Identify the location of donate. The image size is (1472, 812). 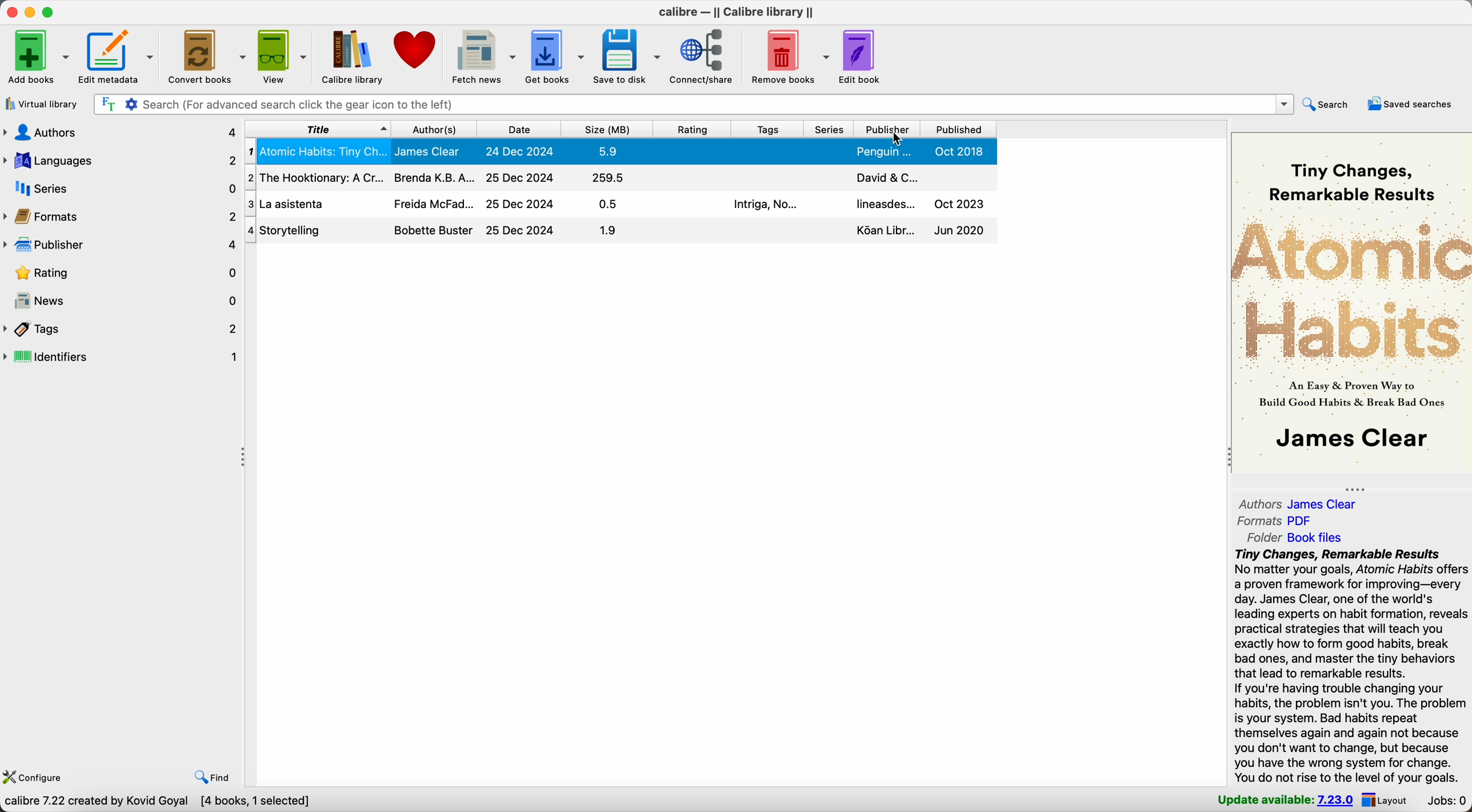
(419, 51).